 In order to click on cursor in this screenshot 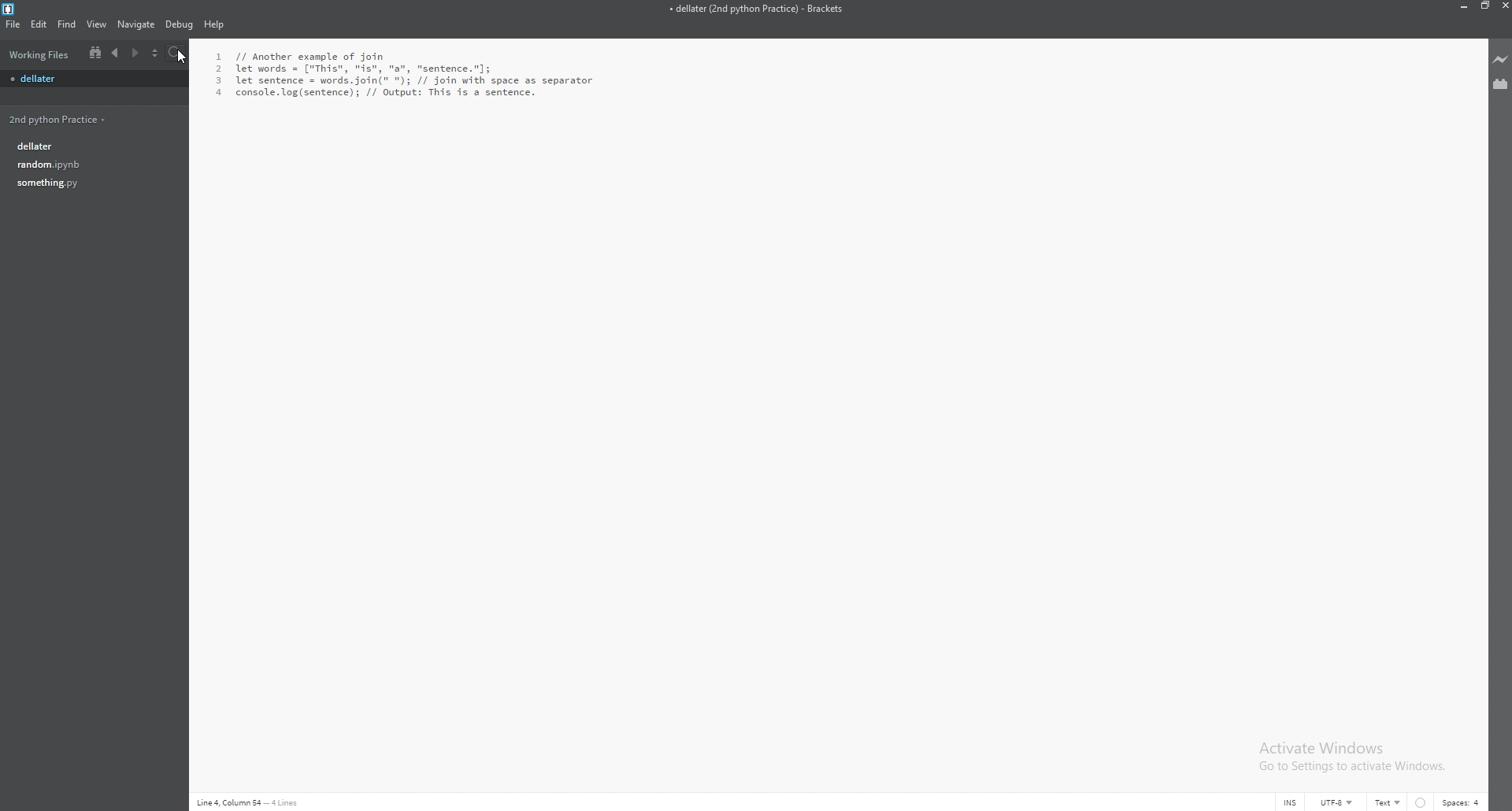, I will do `click(184, 56)`.